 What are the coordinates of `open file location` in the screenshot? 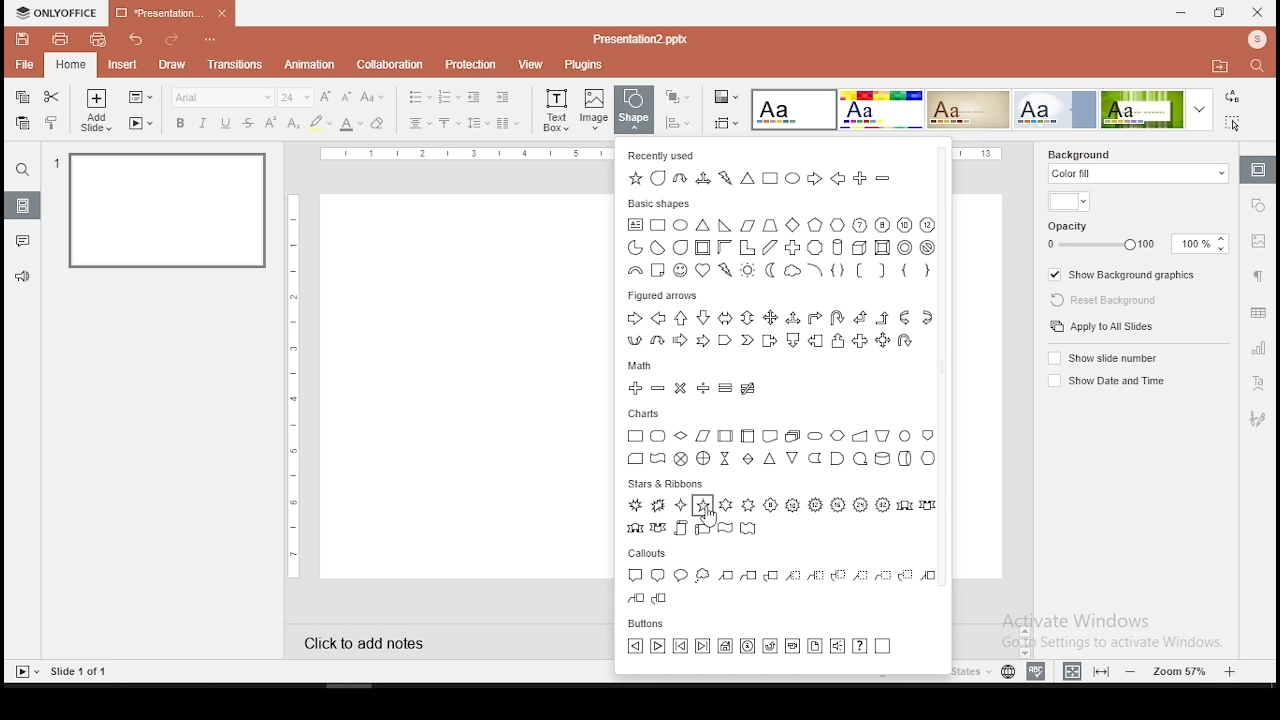 It's located at (1219, 67).